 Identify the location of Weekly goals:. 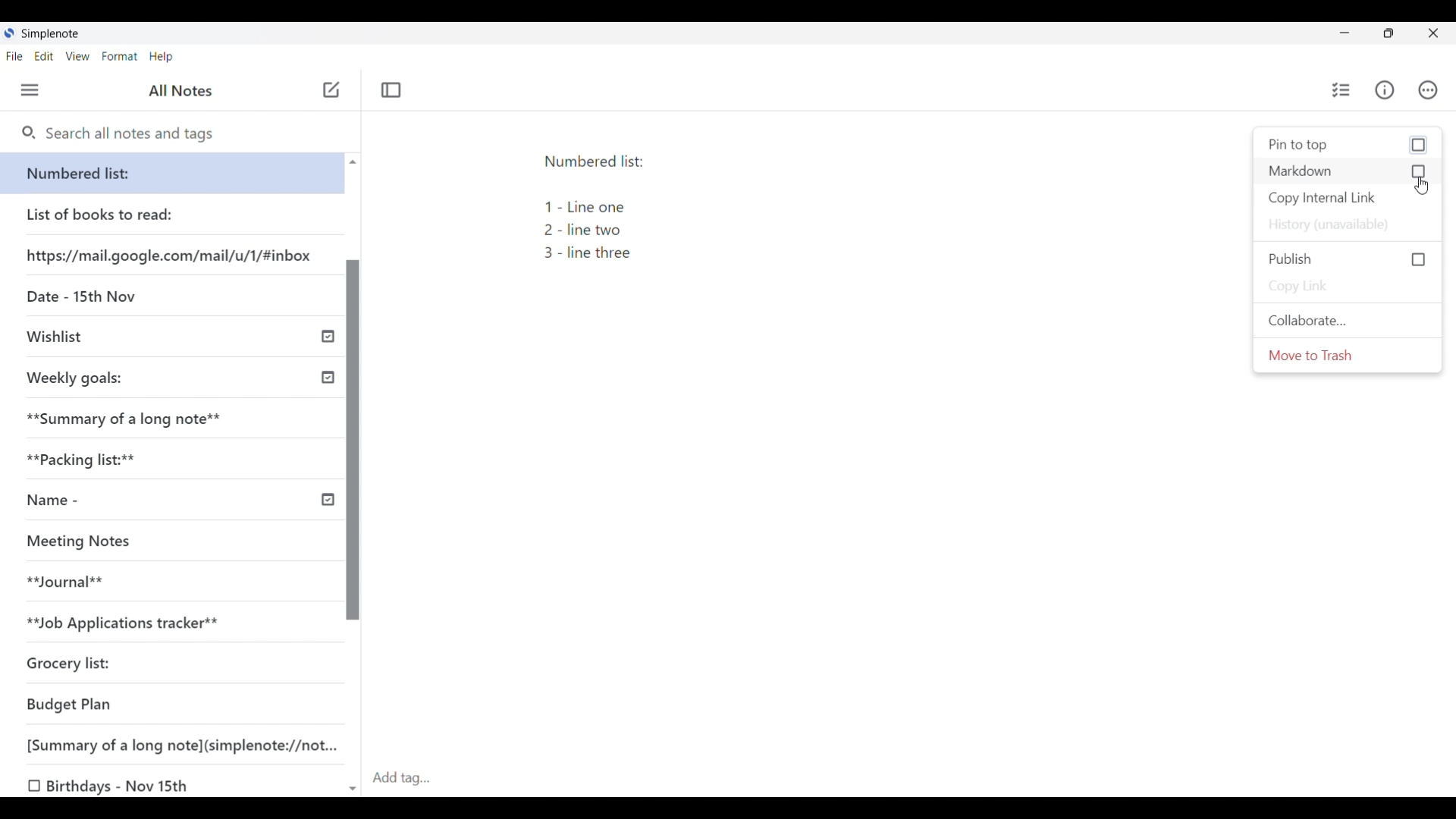
(98, 381).